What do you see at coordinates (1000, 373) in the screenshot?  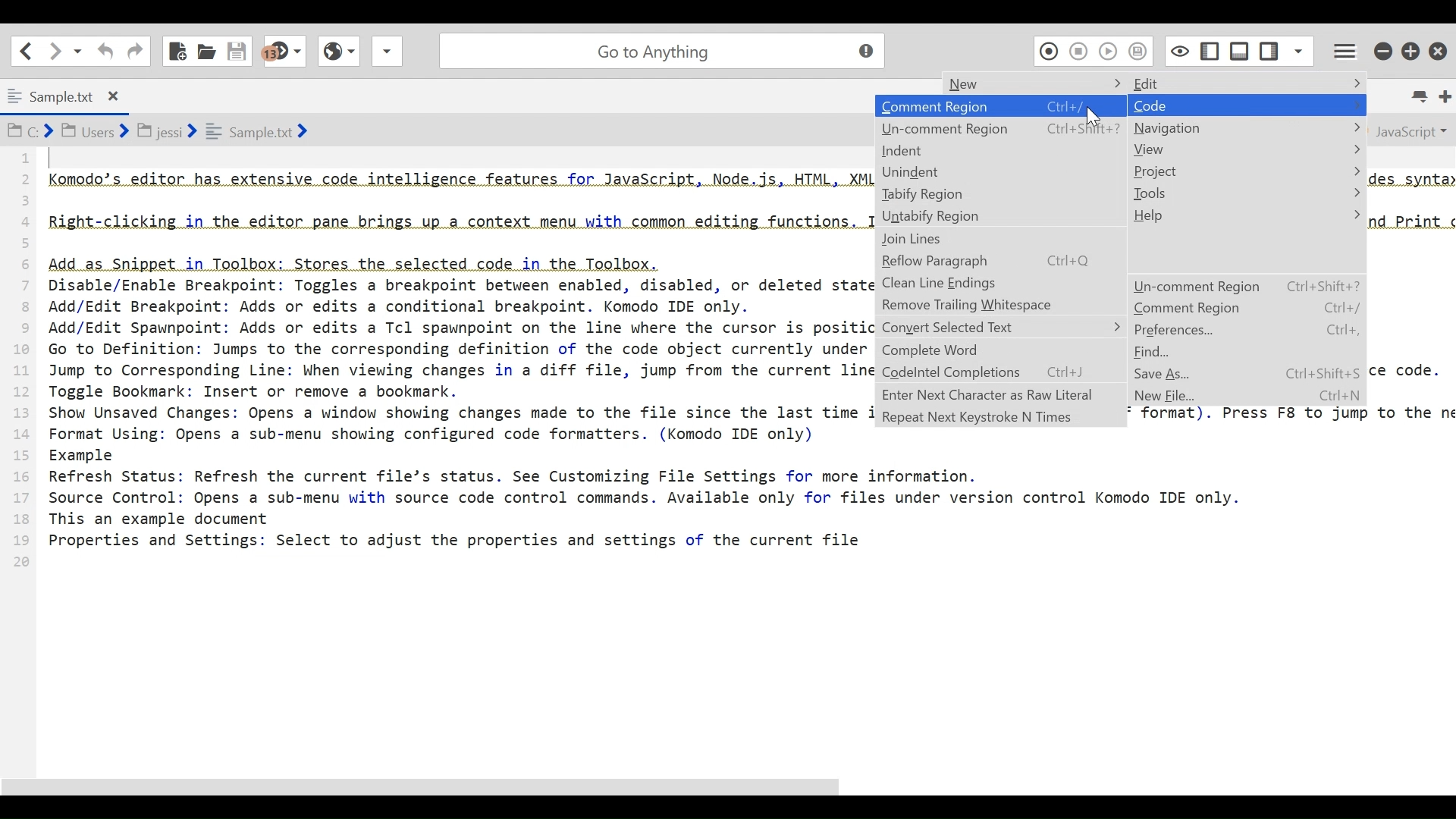 I see `CodeIntel Completions` at bounding box center [1000, 373].